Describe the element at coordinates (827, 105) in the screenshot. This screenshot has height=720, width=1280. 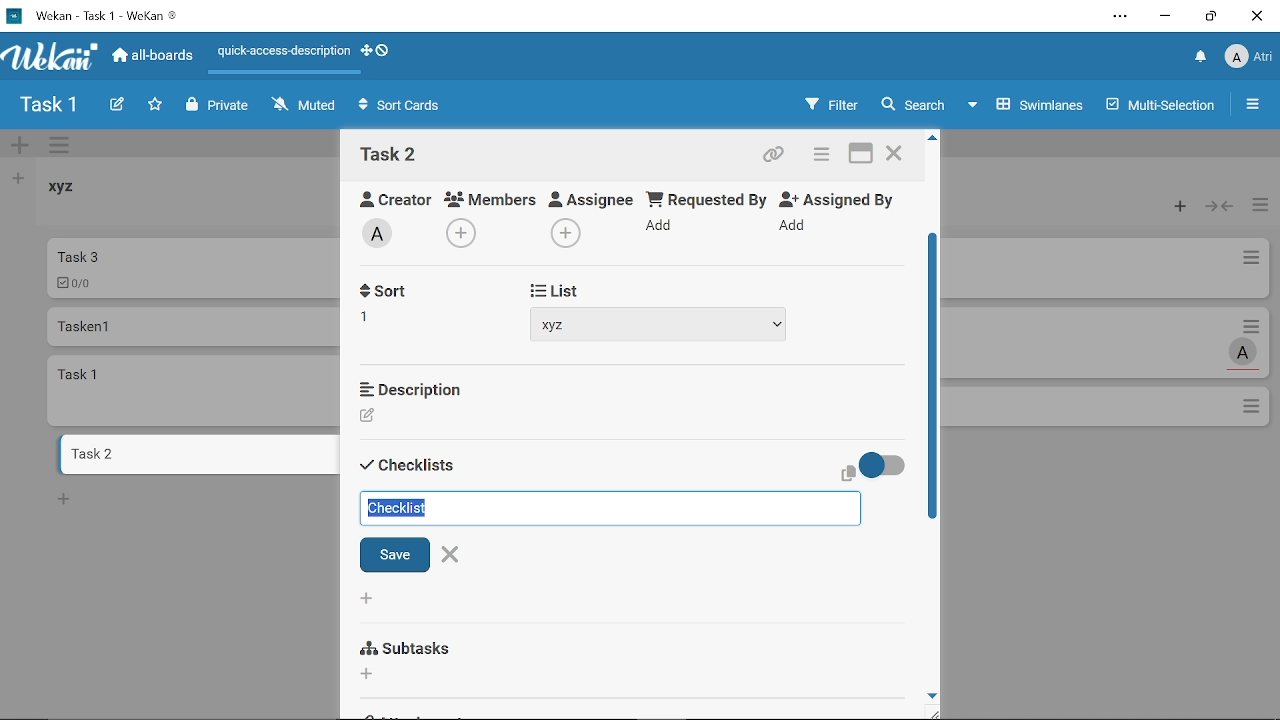
I see `Filters` at that location.